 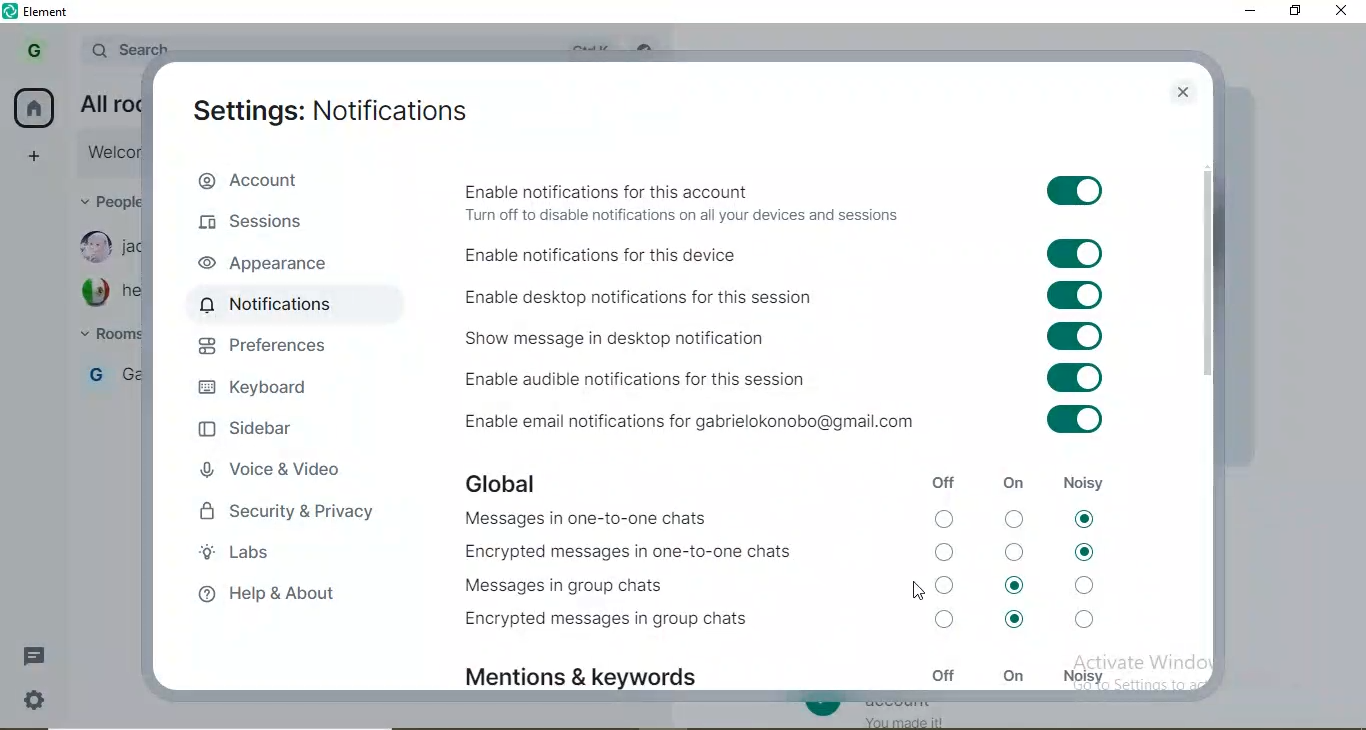 I want to click on encrypted messages in group chats, so click(x=621, y=625).